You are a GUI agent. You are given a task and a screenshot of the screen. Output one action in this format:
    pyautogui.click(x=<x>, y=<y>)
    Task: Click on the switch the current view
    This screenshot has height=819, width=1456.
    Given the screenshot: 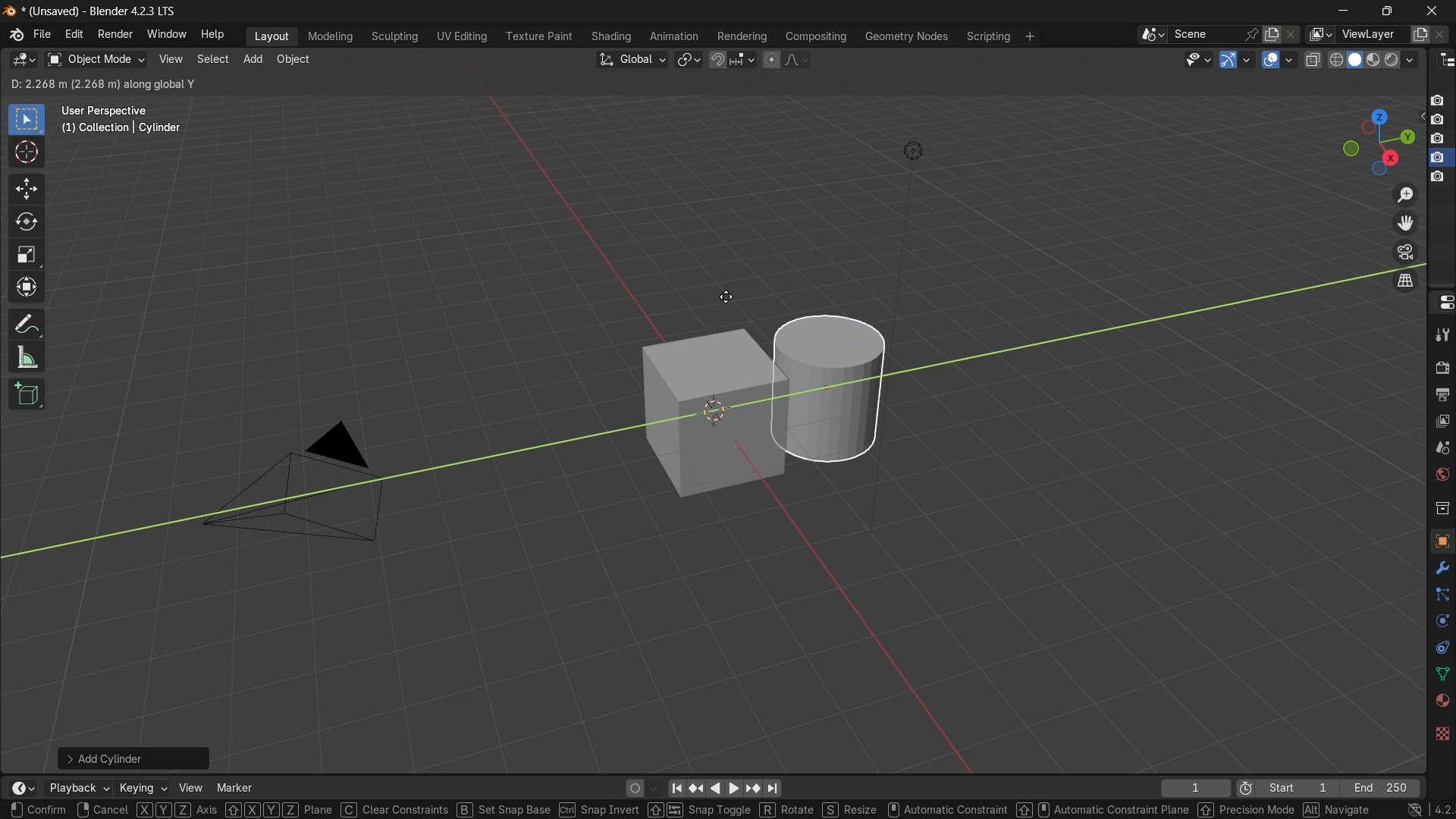 What is the action you would take?
    pyautogui.click(x=1405, y=283)
    